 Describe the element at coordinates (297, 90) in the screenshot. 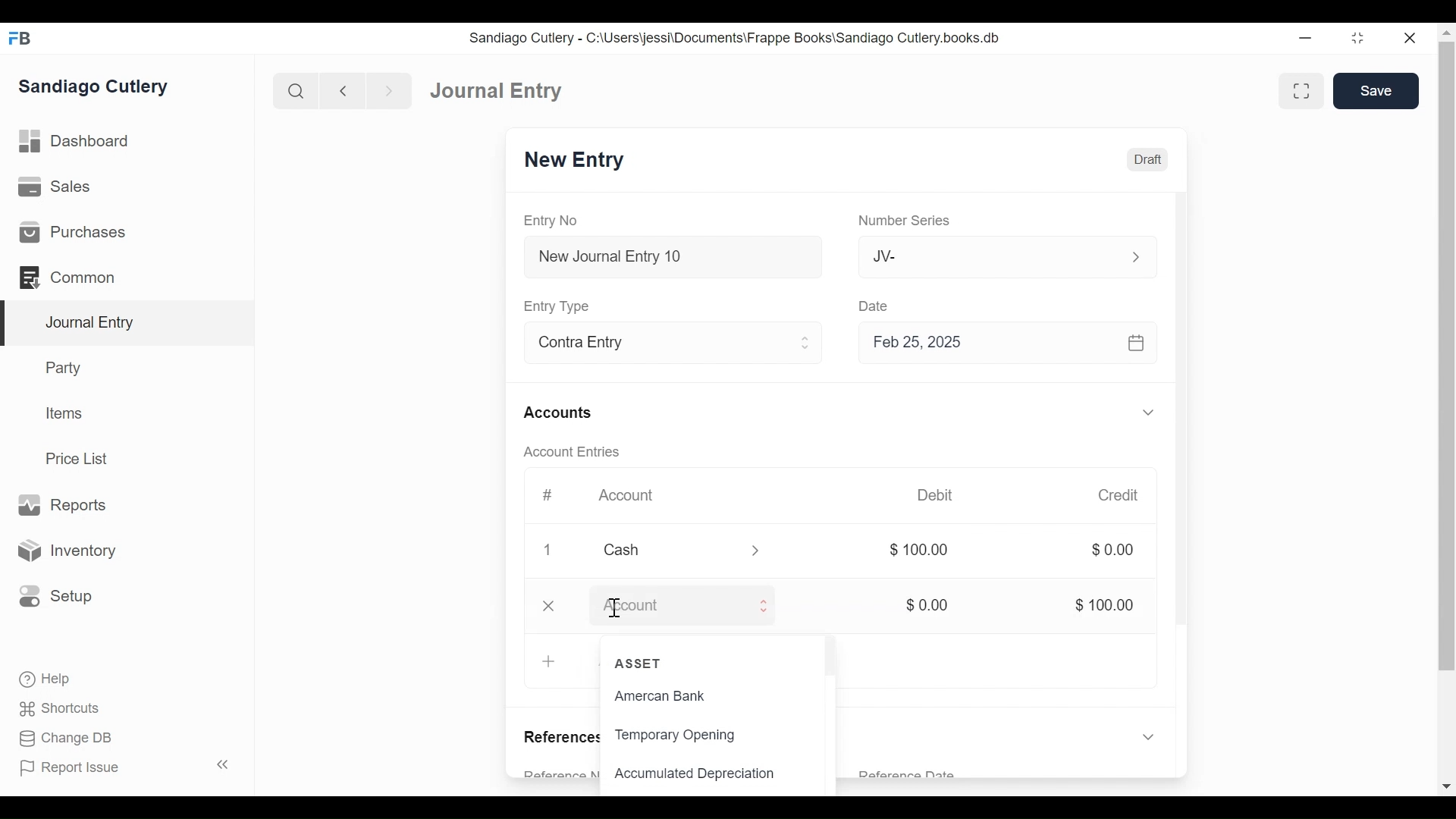

I see `Search` at that location.